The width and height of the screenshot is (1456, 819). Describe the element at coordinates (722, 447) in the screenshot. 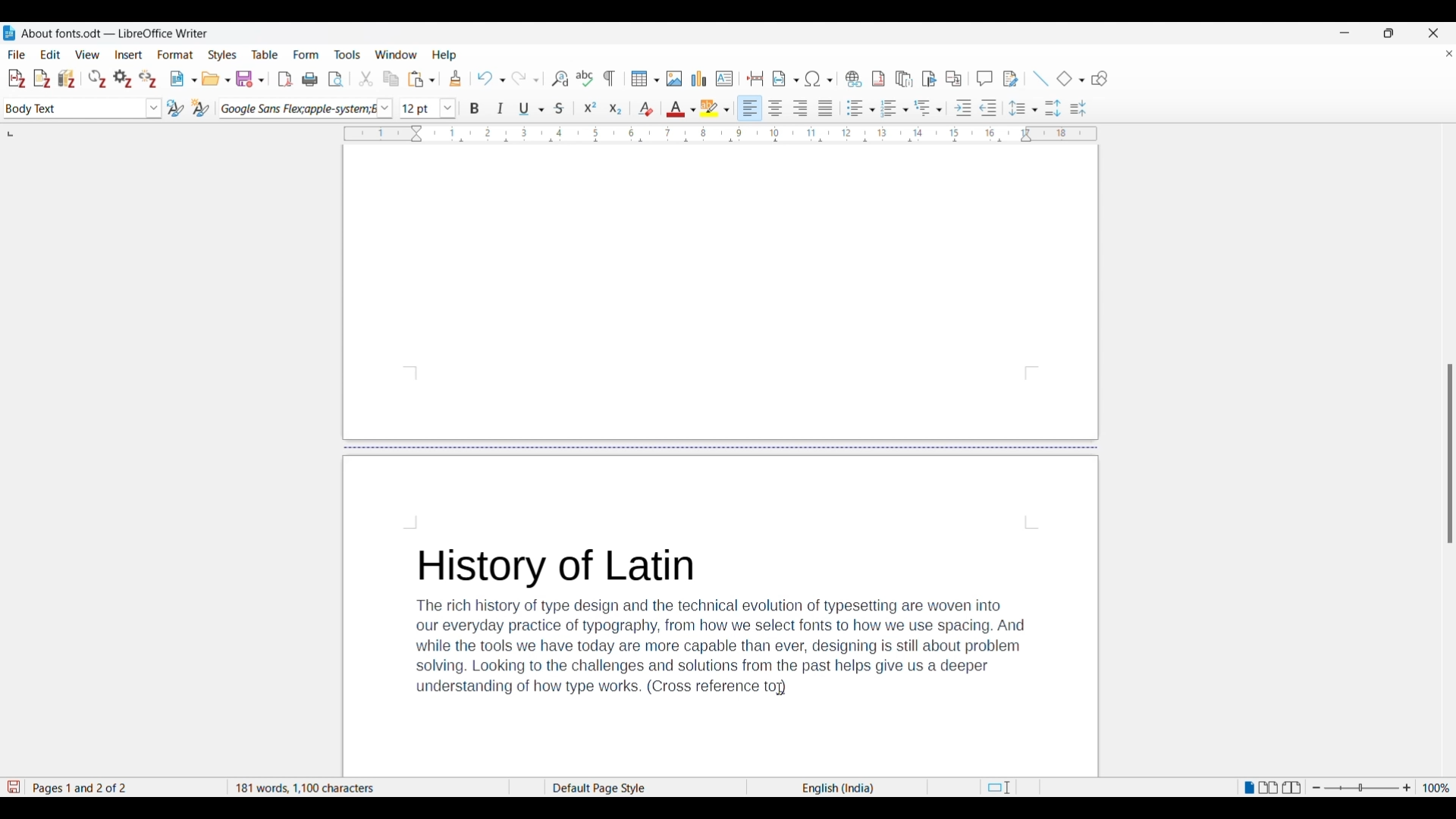

I see `Page break in document` at that location.